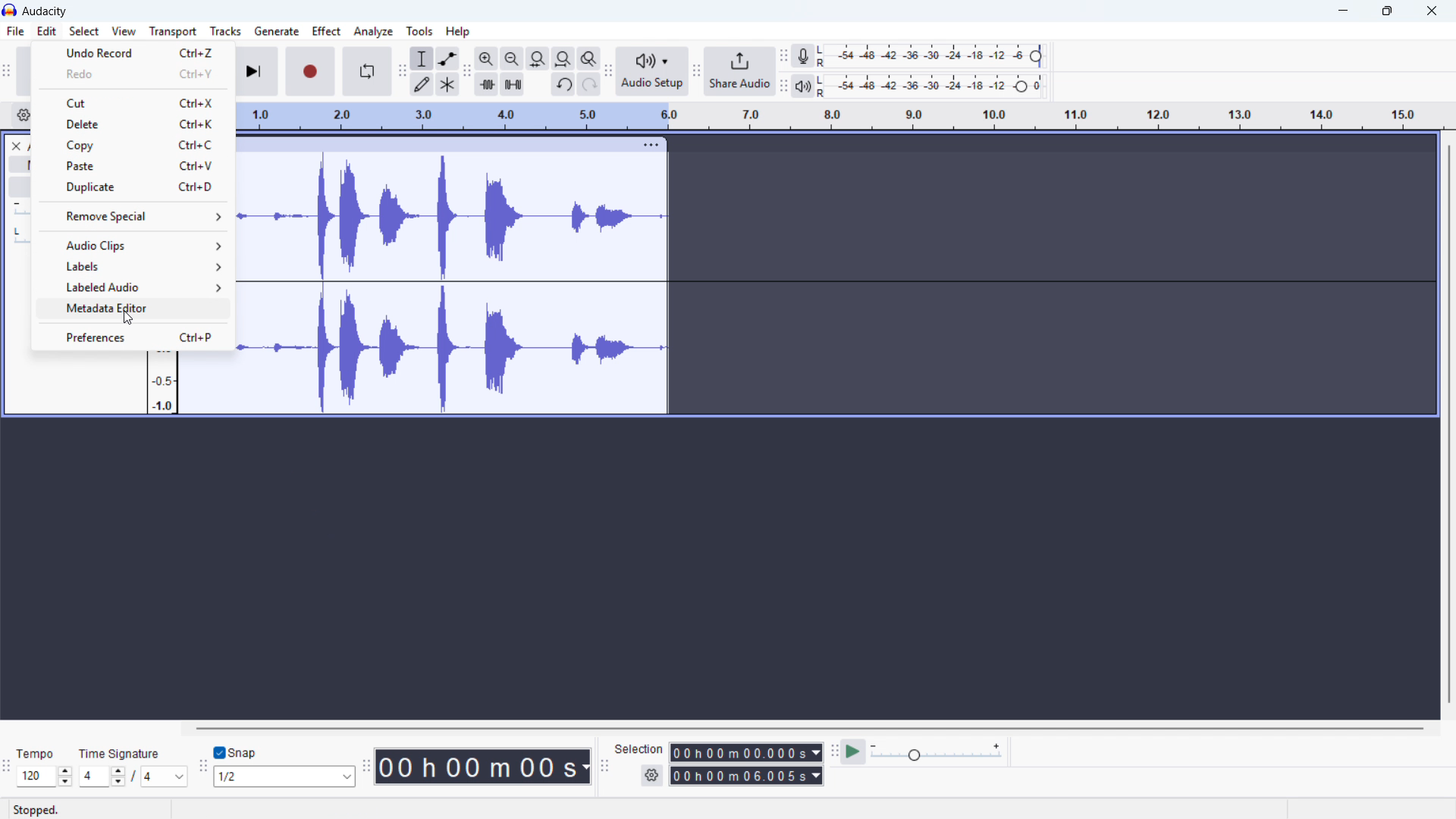 The width and height of the screenshot is (1456, 819). What do you see at coordinates (745, 752) in the screenshot?
I see `start time` at bounding box center [745, 752].